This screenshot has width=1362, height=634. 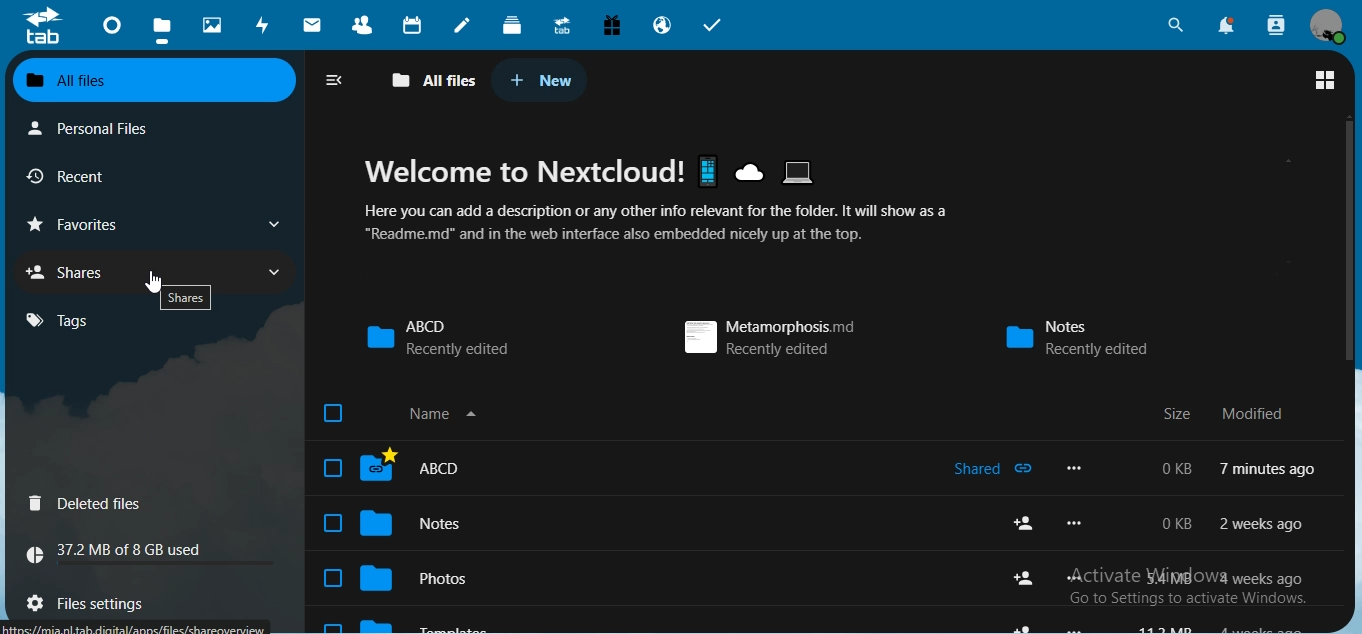 What do you see at coordinates (434, 413) in the screenshot?
I see `name` at bounding box center [434, 413].